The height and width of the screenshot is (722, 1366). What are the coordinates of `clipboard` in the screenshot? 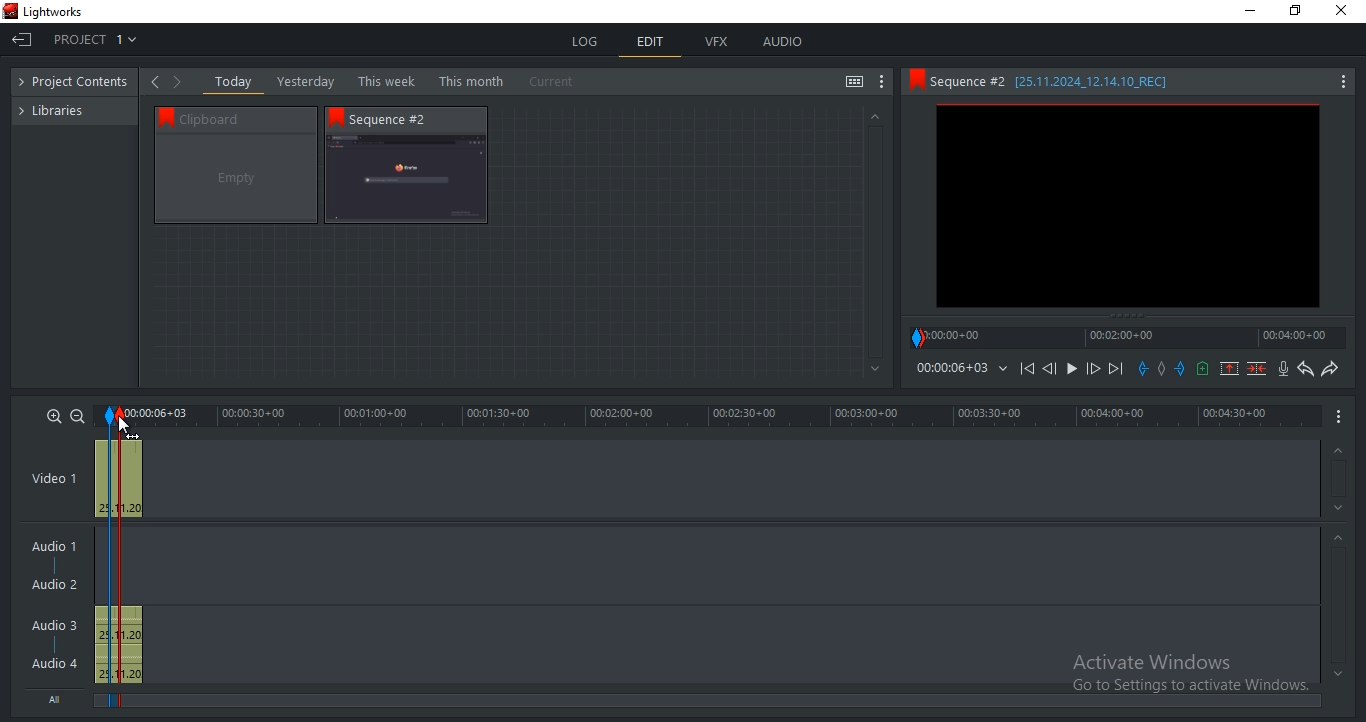 It's located at (236, 179).